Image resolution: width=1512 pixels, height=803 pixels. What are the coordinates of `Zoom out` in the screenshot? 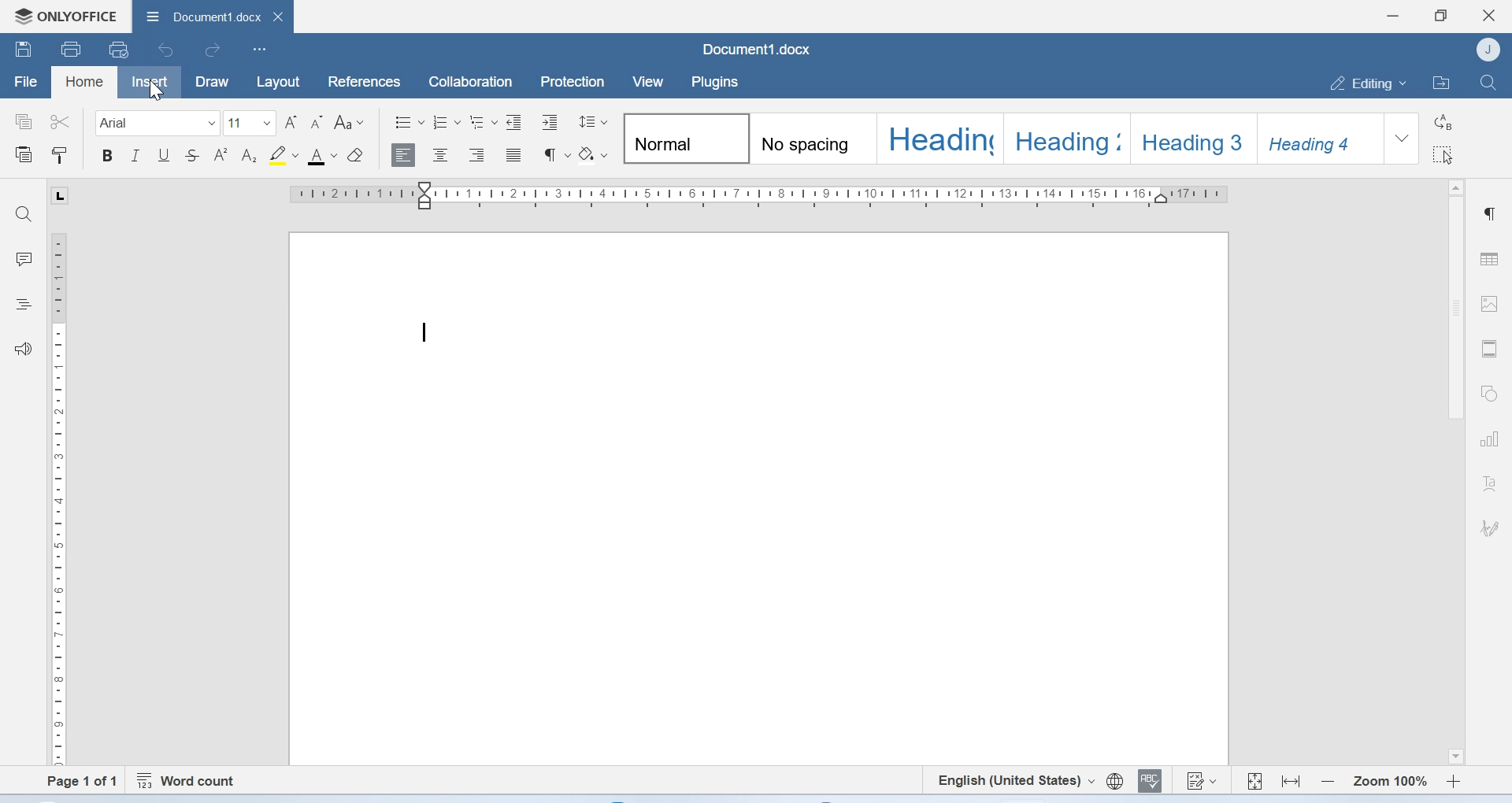 It's located at (1327, 780).